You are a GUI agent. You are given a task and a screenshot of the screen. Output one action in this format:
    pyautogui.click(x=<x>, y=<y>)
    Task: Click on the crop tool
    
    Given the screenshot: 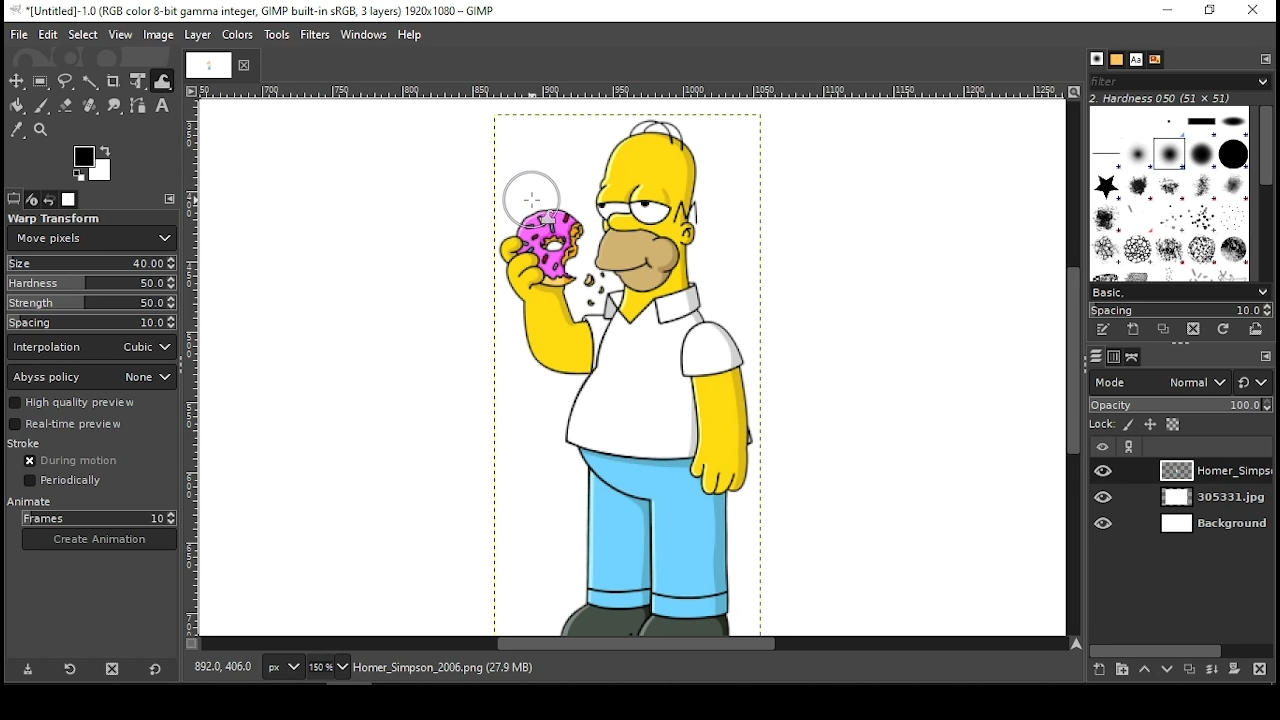 What is the action you would take?
    pyautogui.click(x=114, y=81)
    